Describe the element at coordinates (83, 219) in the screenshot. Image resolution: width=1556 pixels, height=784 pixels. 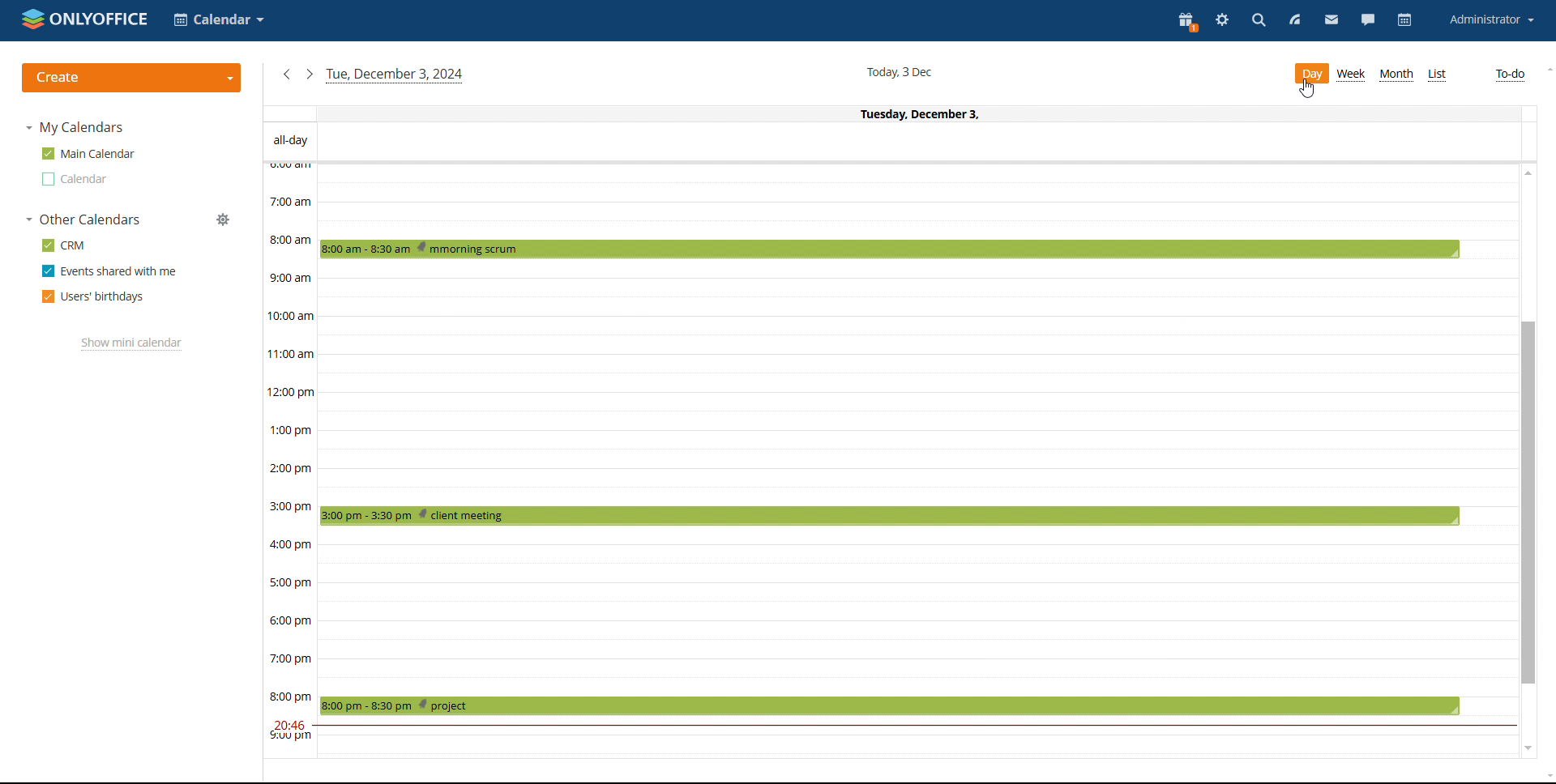
I see `other calendars` at that location.